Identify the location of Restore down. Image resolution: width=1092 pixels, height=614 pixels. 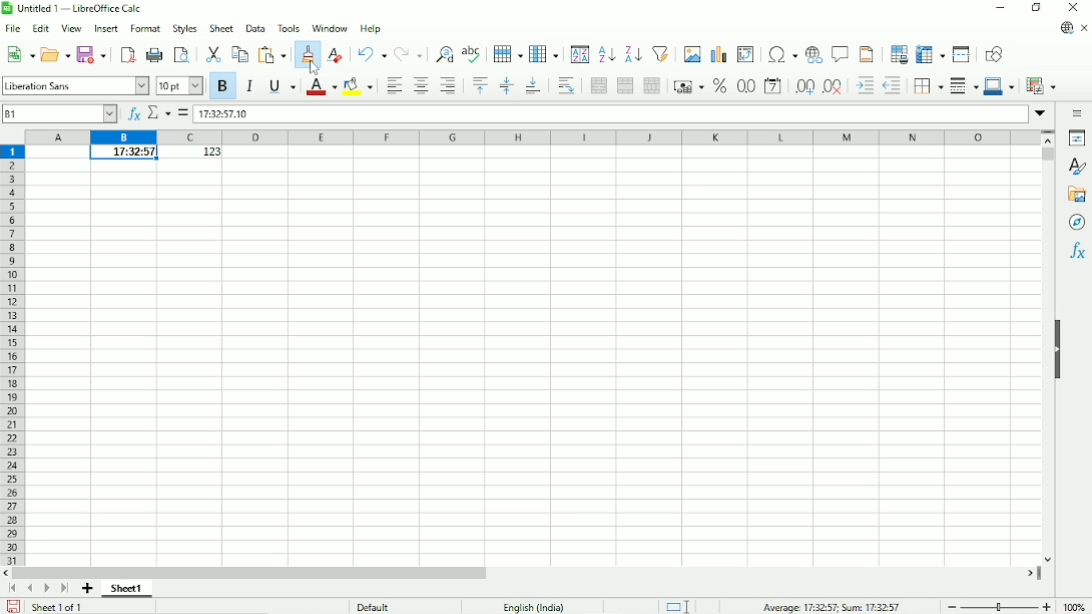
(1037, 7).